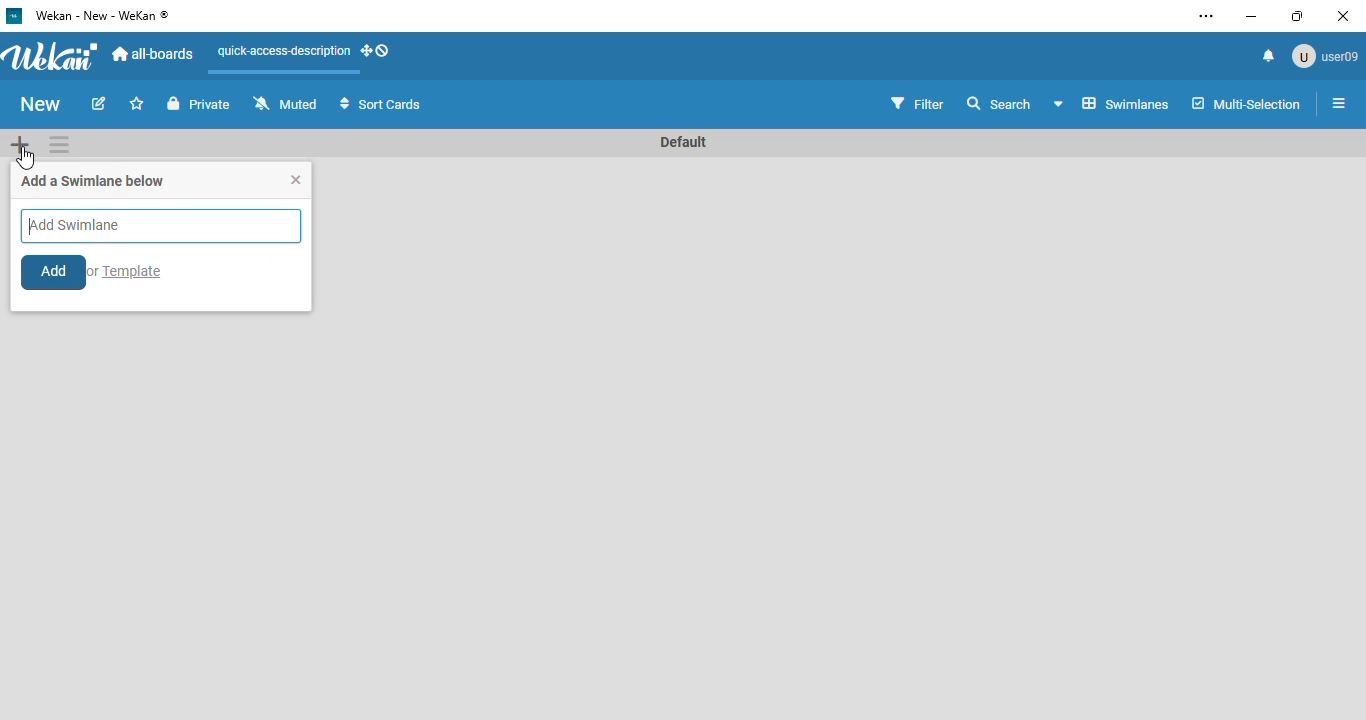 The image size is (1366, 720). I want to click on all-boards, so click(154, 54).